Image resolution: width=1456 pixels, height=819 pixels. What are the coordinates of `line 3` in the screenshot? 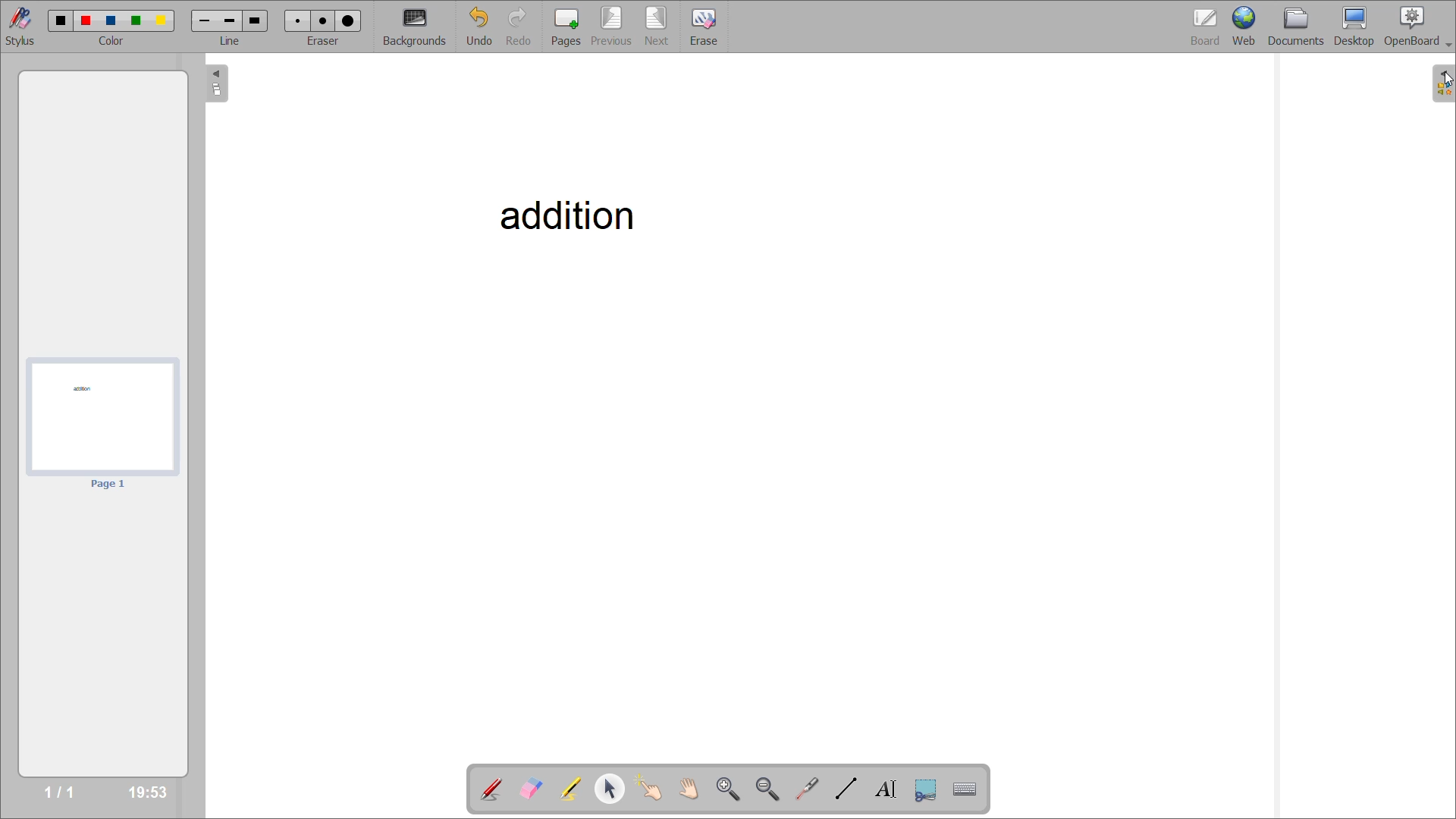 It's located at (254, 20).